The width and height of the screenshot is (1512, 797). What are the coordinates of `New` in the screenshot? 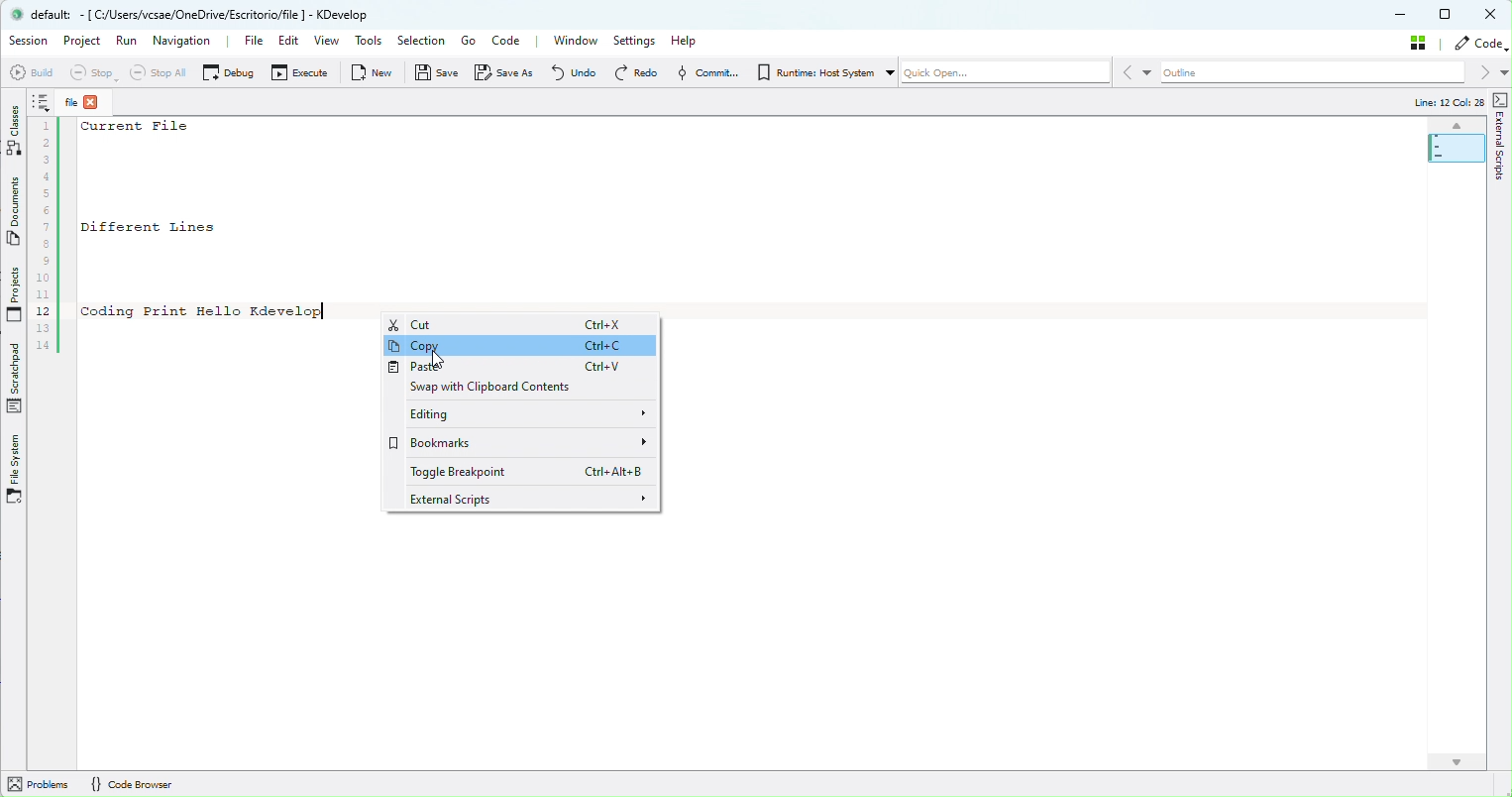 It's located at (372, 75).